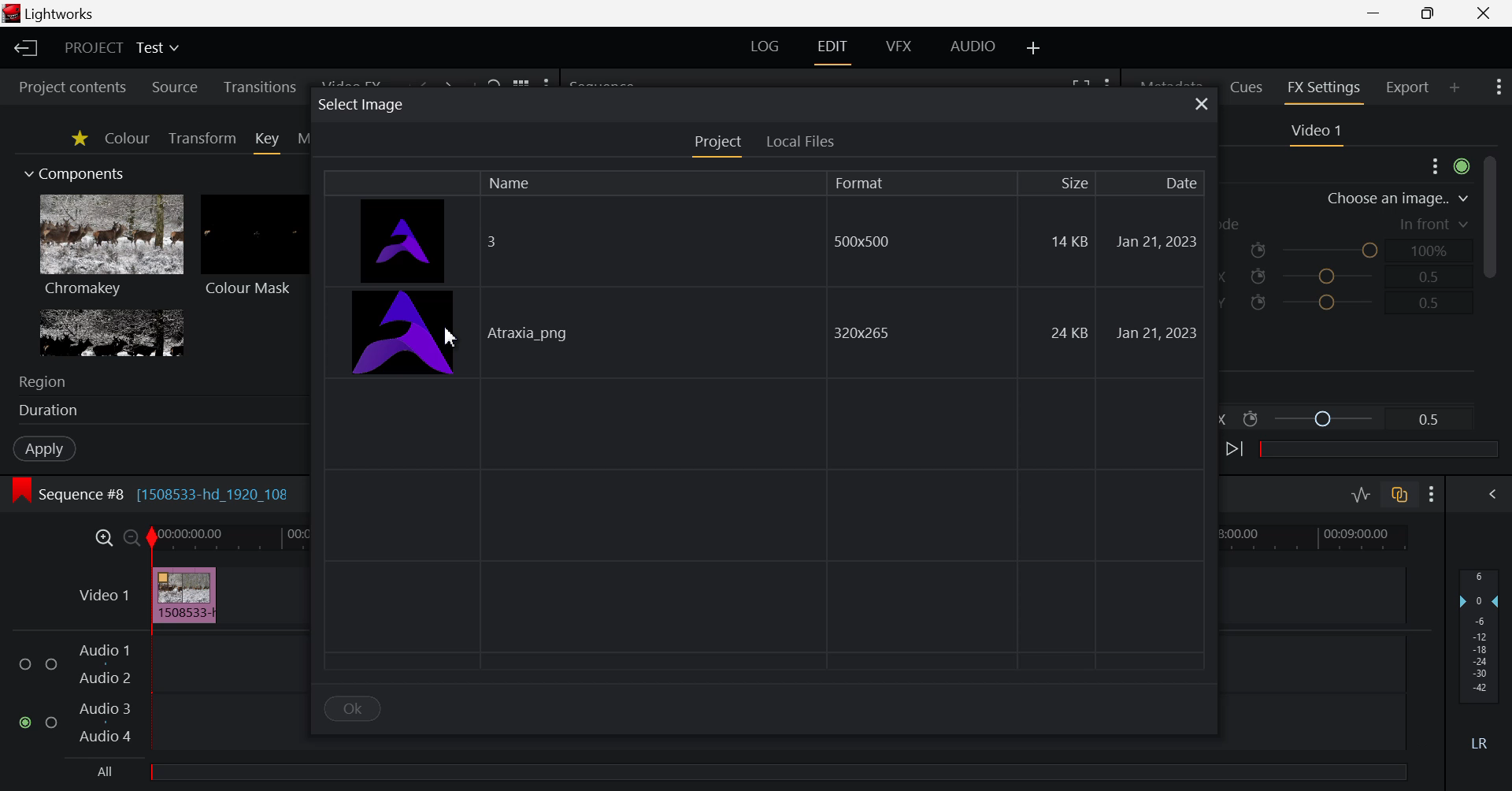  Describe the element at coordinates (531, 334) in the screenshot. I see `Atraxia_png` at that location.